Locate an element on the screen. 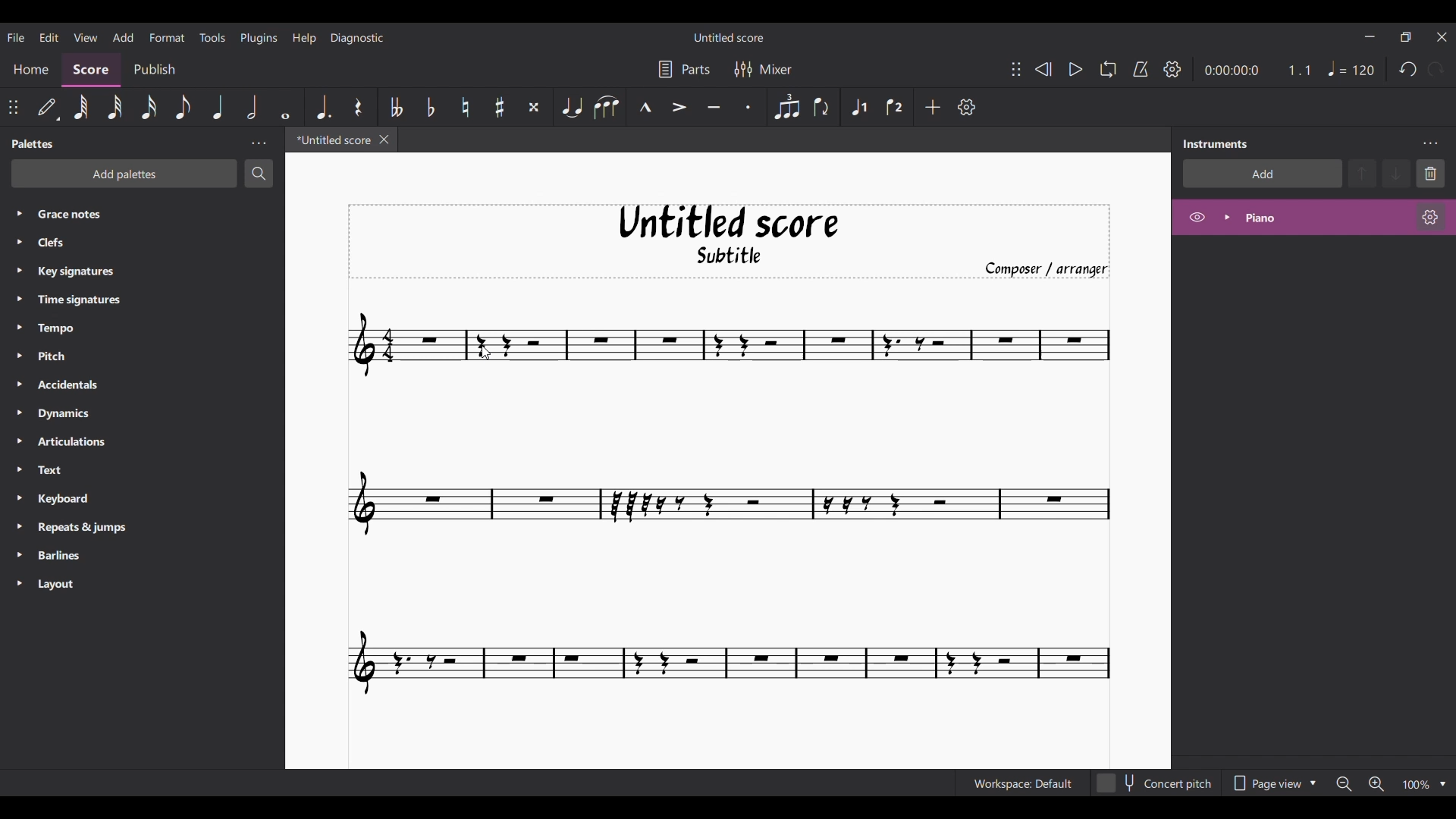  Search is located at coordinates (259, 173).